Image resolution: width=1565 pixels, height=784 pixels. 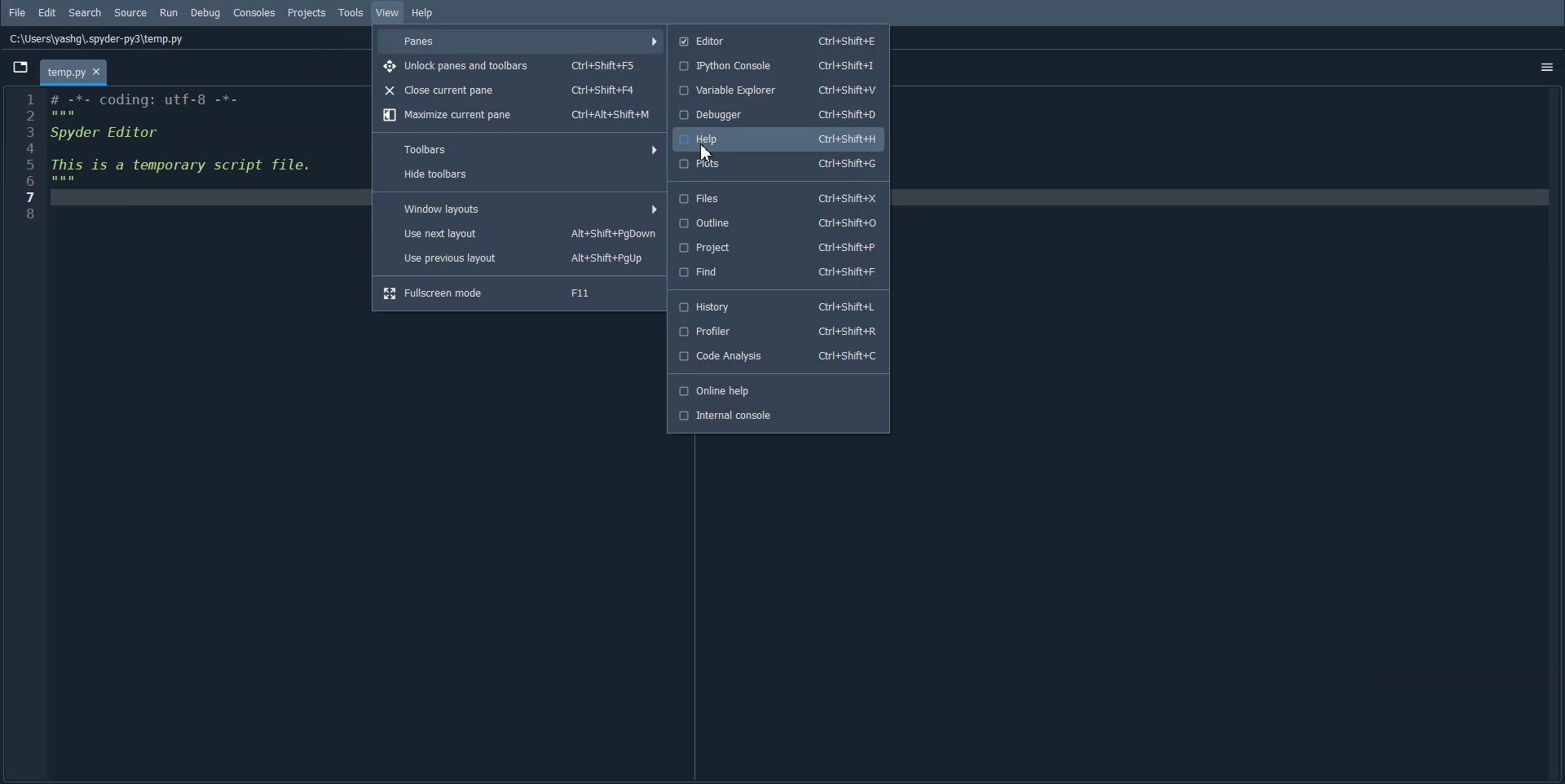 I want to click on Window layout, so click(x=520, y=207).